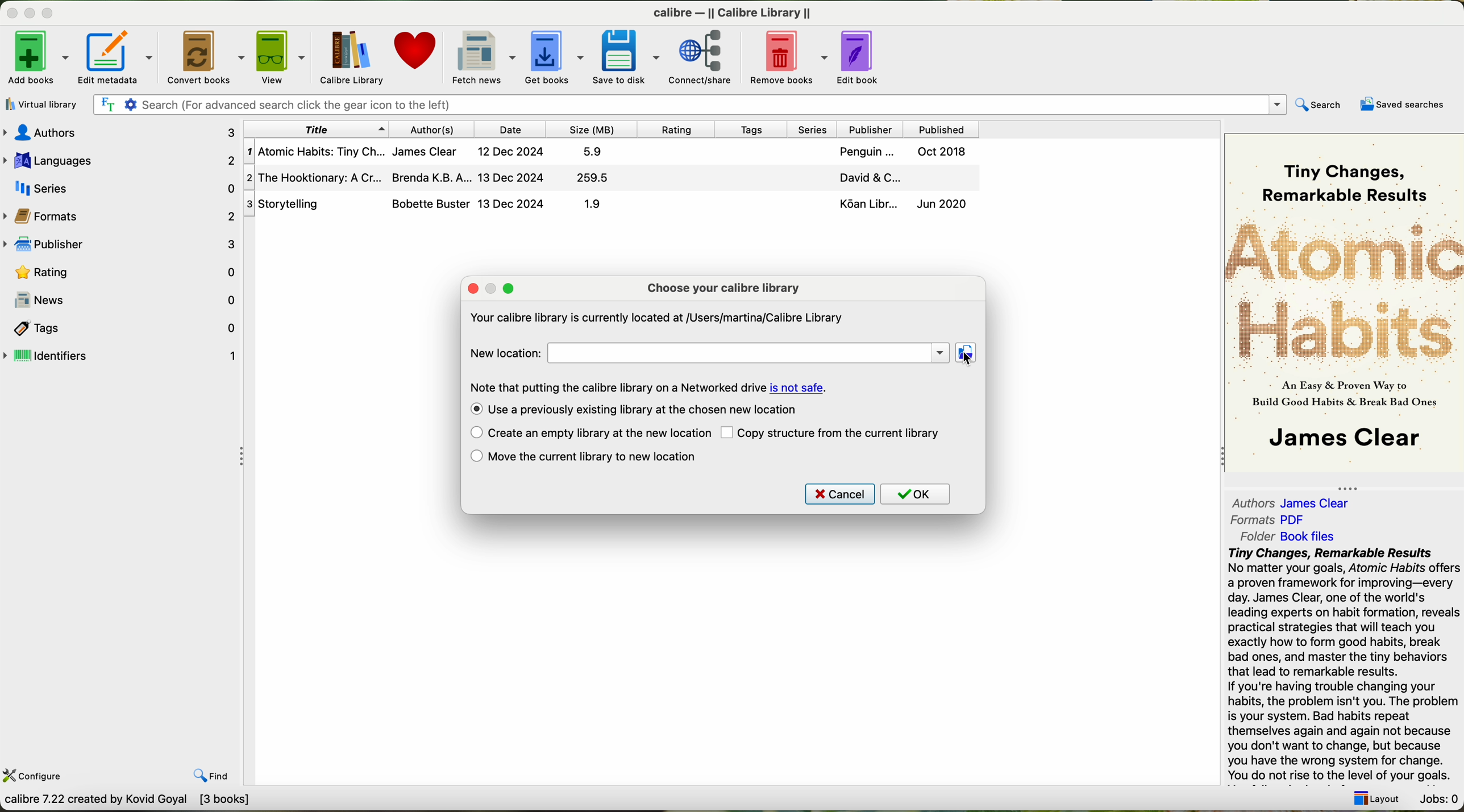  Describe the element at coordinates (203, 56) in the screenshot. I see `convert books` at that location.